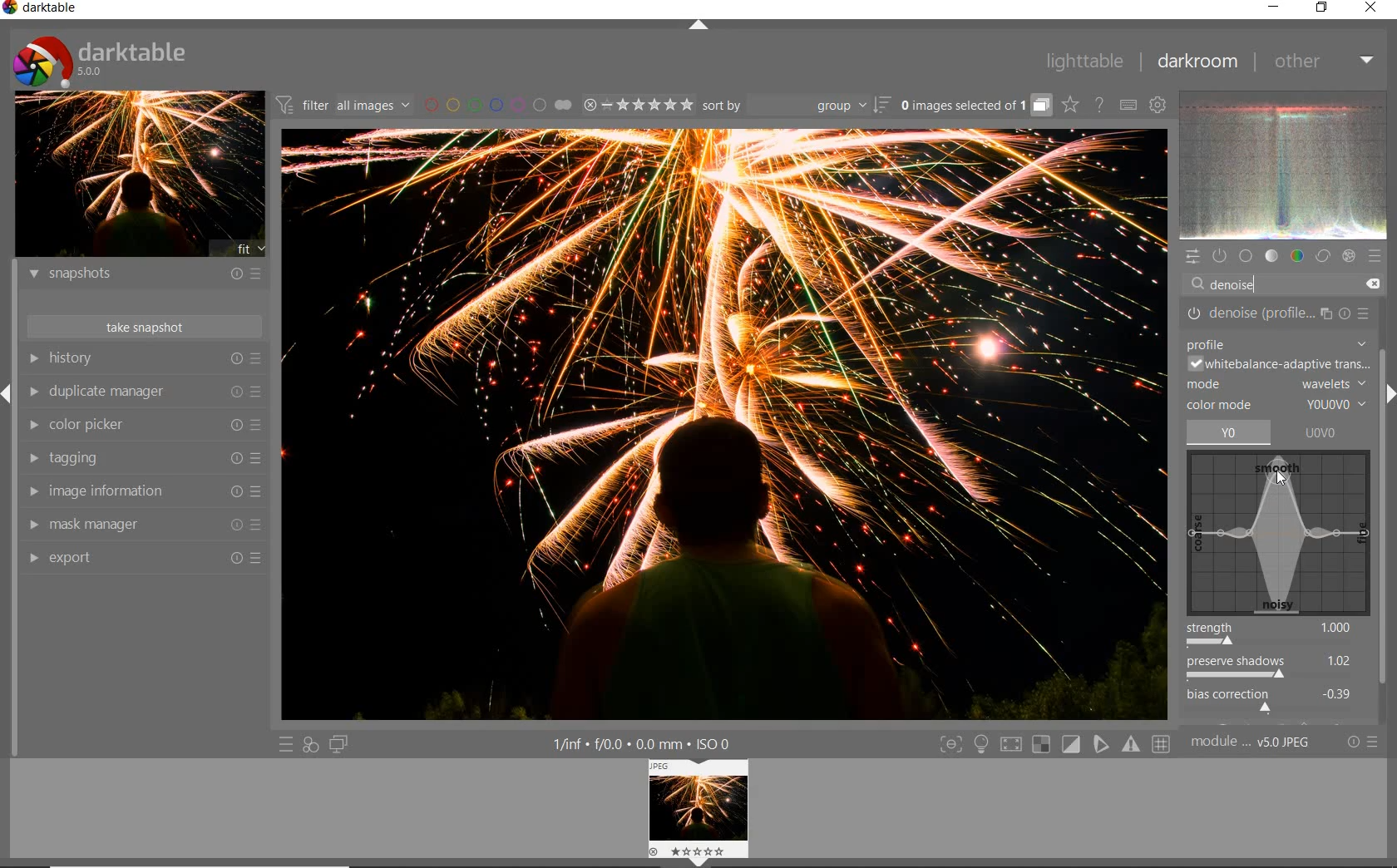 Image resolution: width=1397 pixels, height=868 pixels. Describe the element at coordinates (1082, 60) in the screenshot. I see `lighttable` at that location.